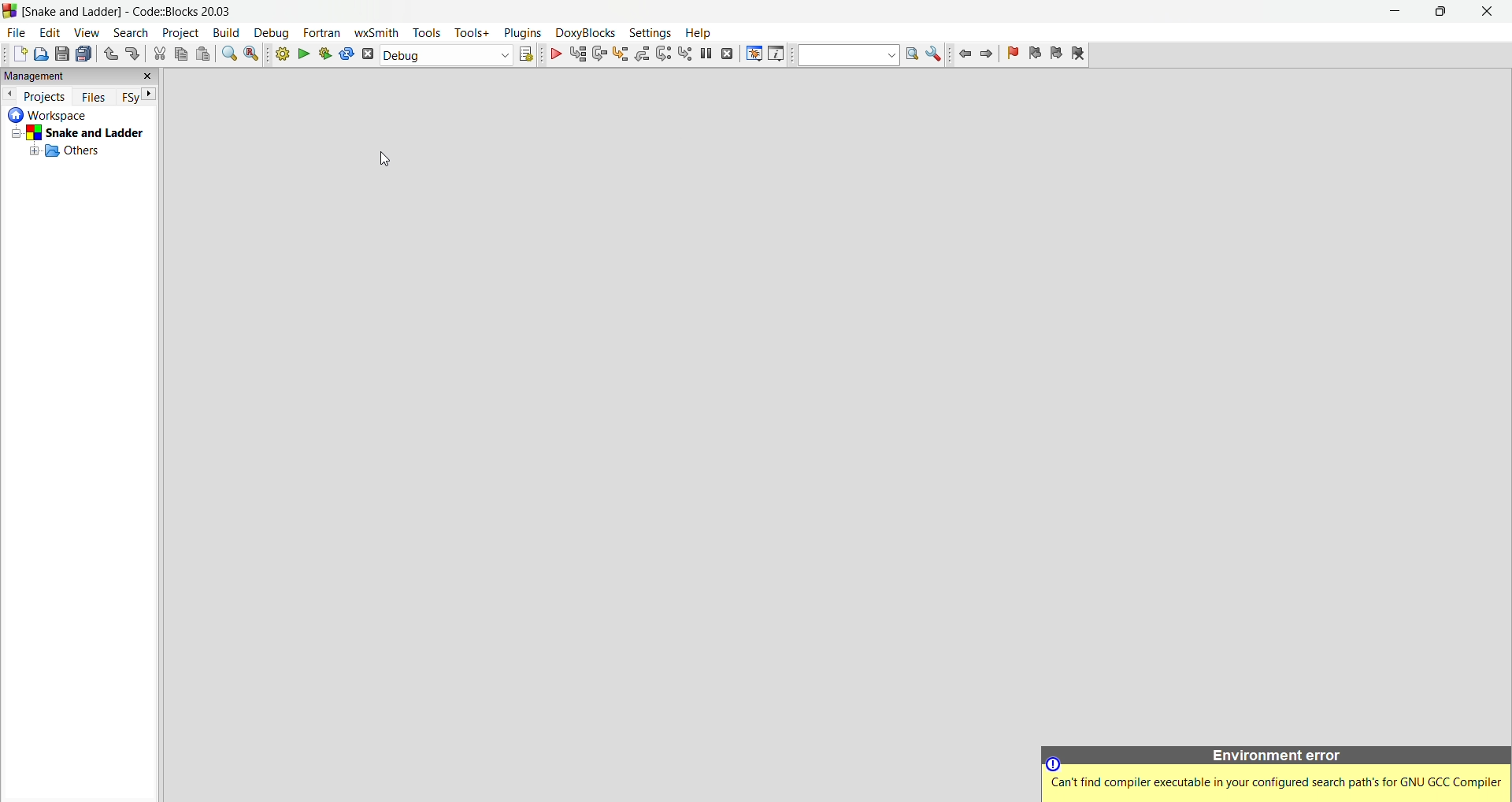 The height and width of the screenshot is (802, 1512). I want to click on debugging windows, so click(751, 54).